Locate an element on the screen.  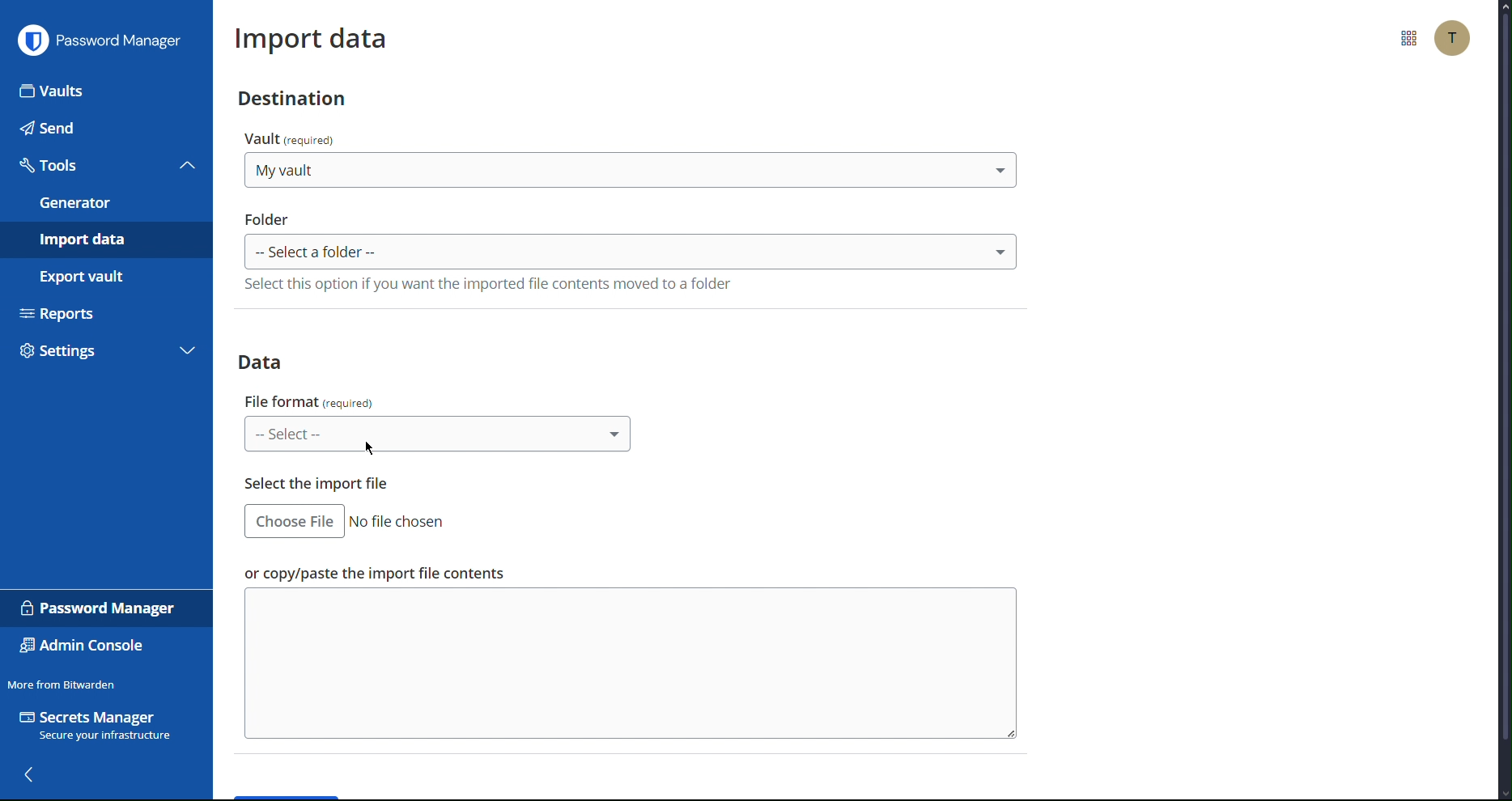
Send is located at coordinates (104, 128).